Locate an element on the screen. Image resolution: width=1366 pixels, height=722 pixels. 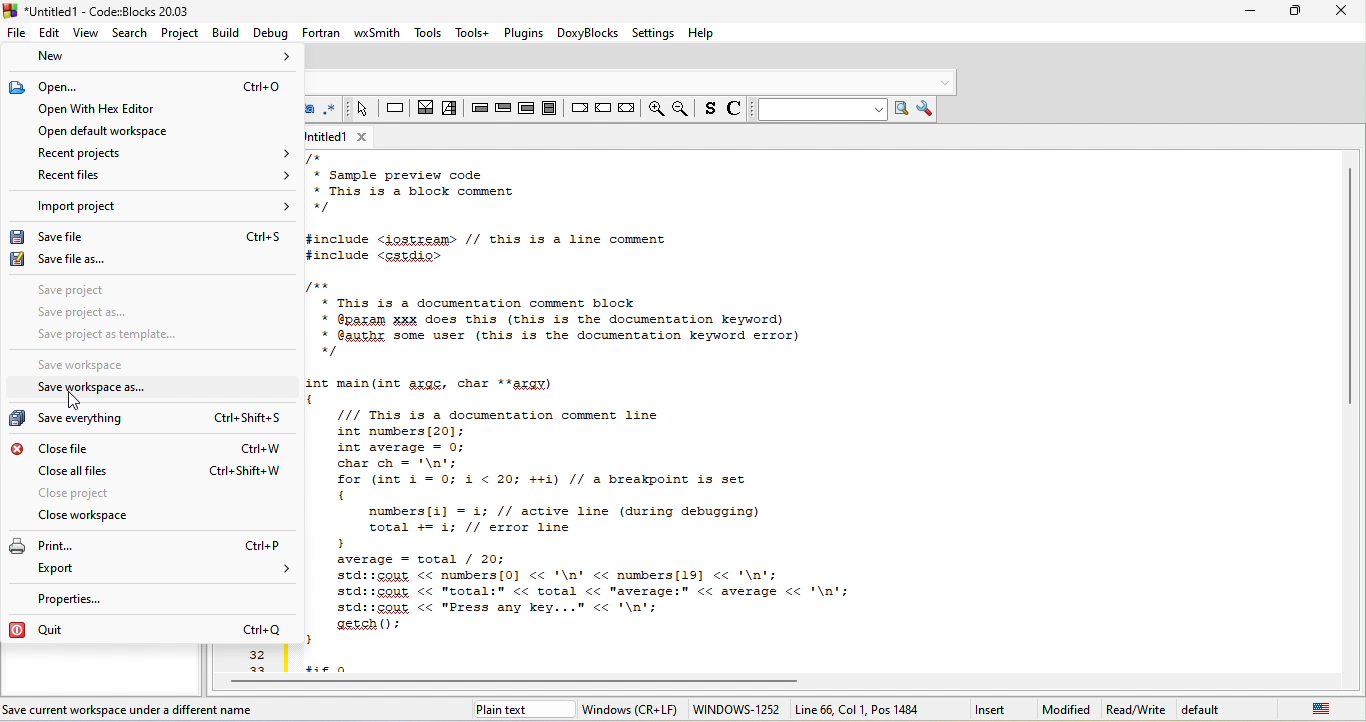
plain text is located at coordinates (506, 712).